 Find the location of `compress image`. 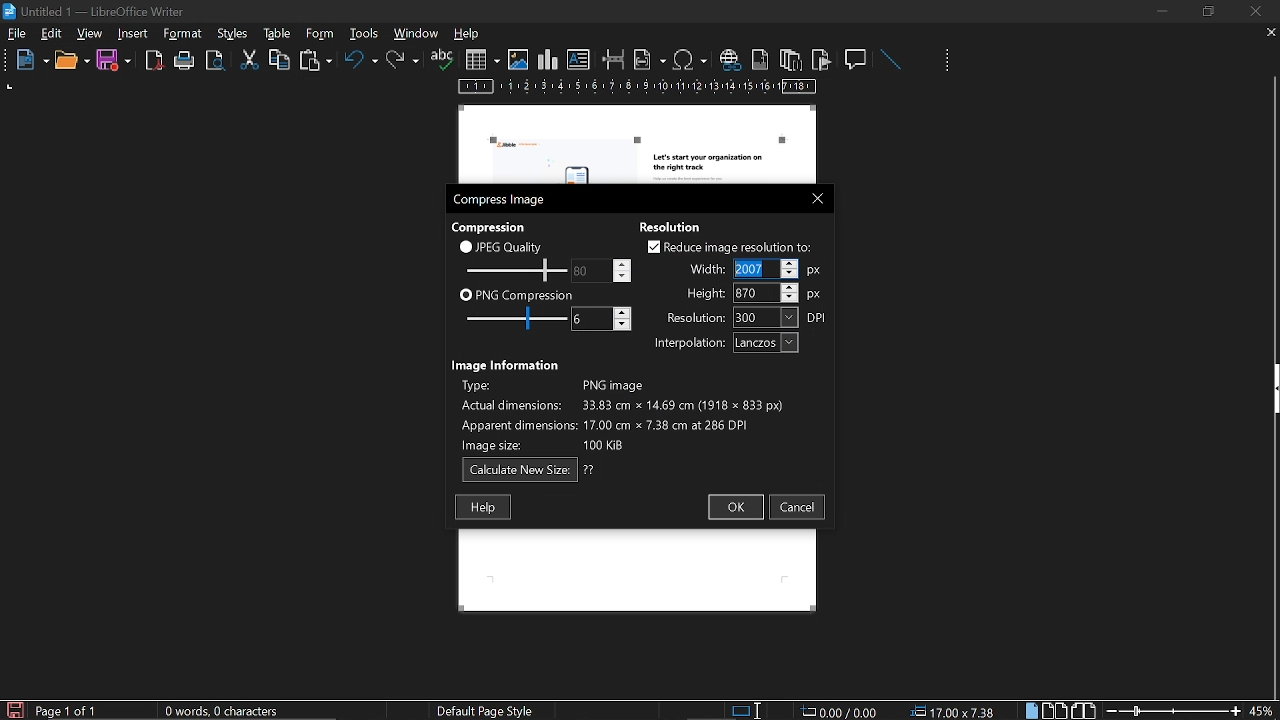

compress image is located at coordinates (502, 200).